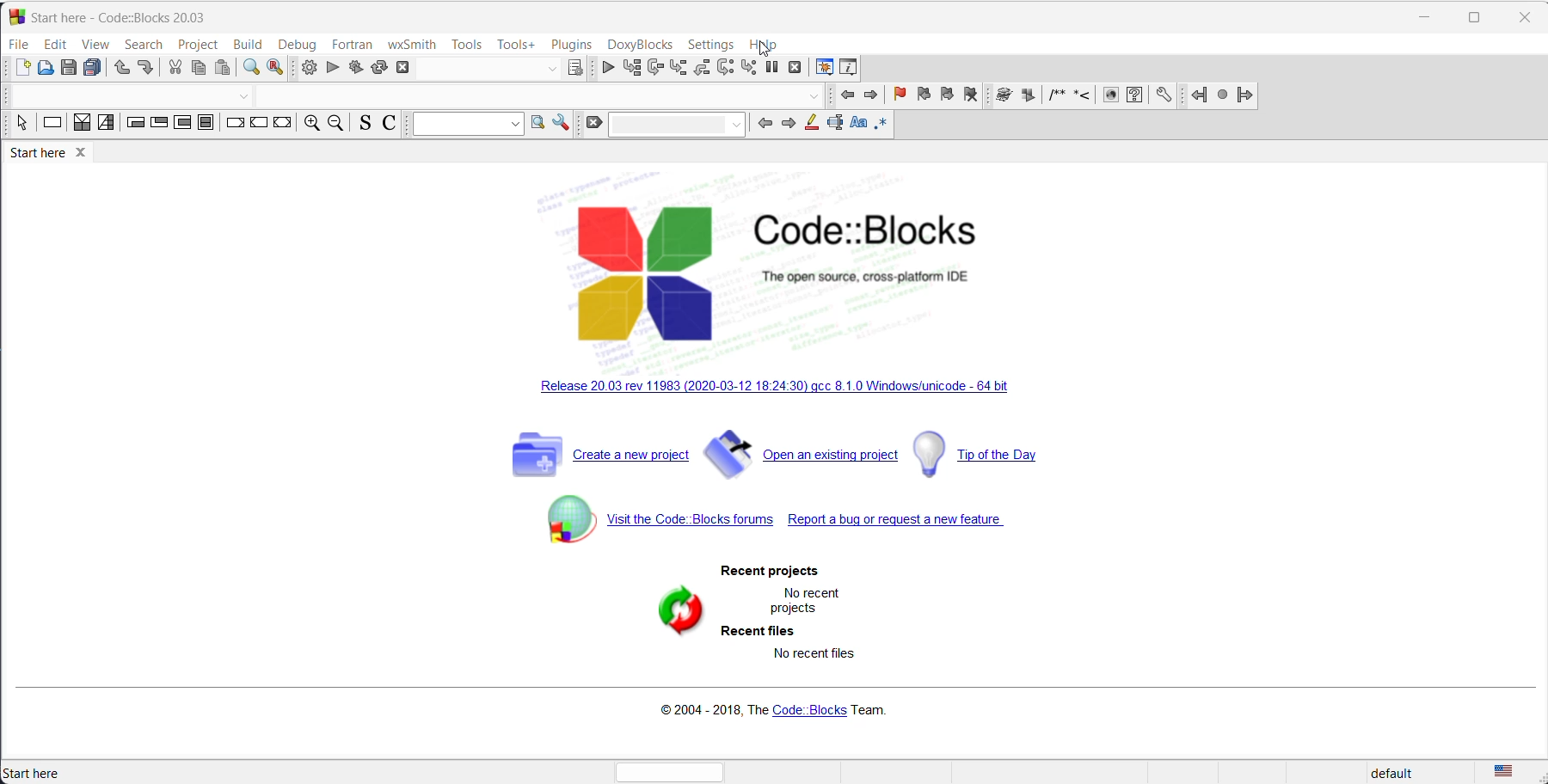 The width and height of the screenshot is (1548, 784). I want to click on search, so click(538, 124).